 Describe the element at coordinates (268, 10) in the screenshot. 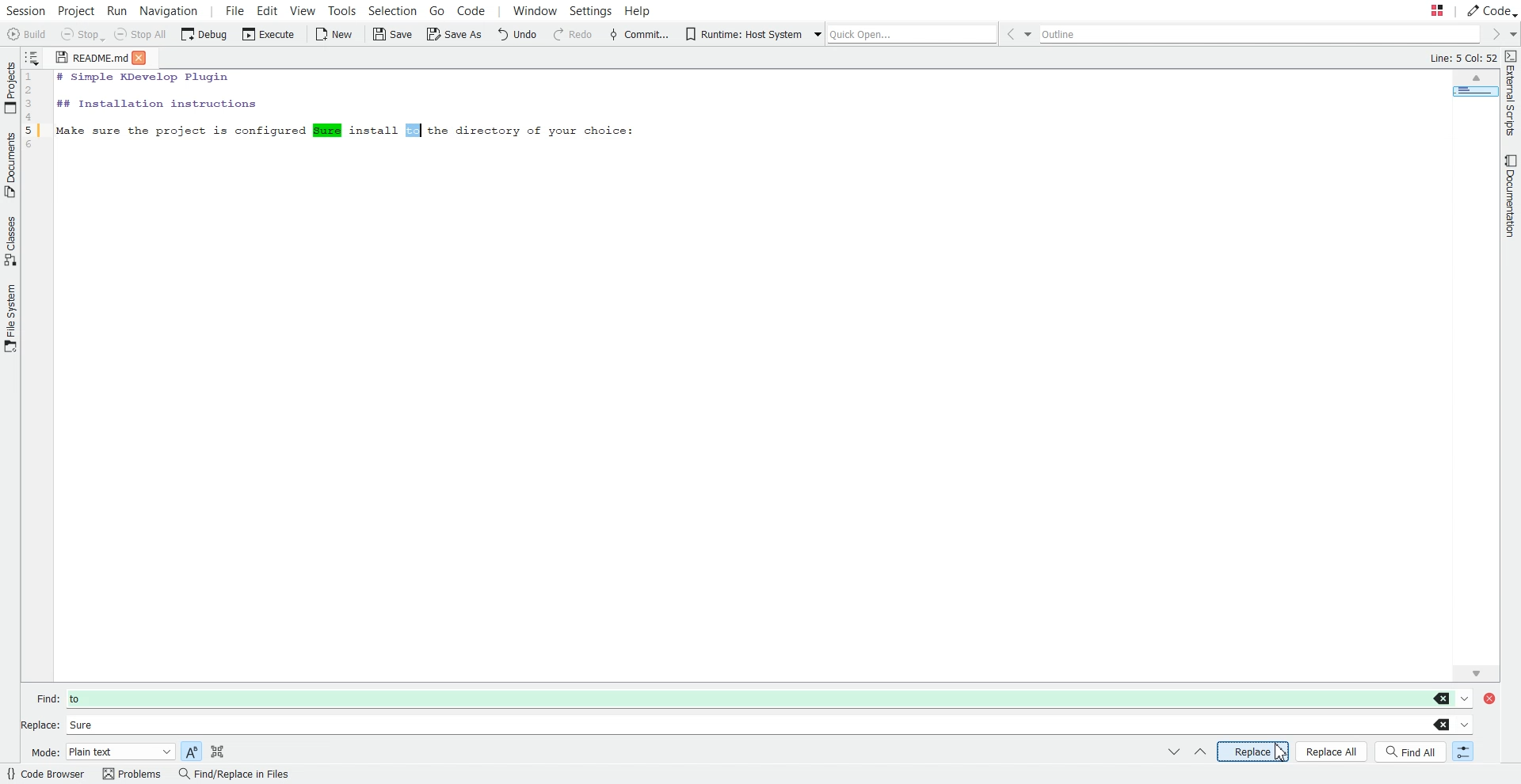

I see `Edit` at that location.